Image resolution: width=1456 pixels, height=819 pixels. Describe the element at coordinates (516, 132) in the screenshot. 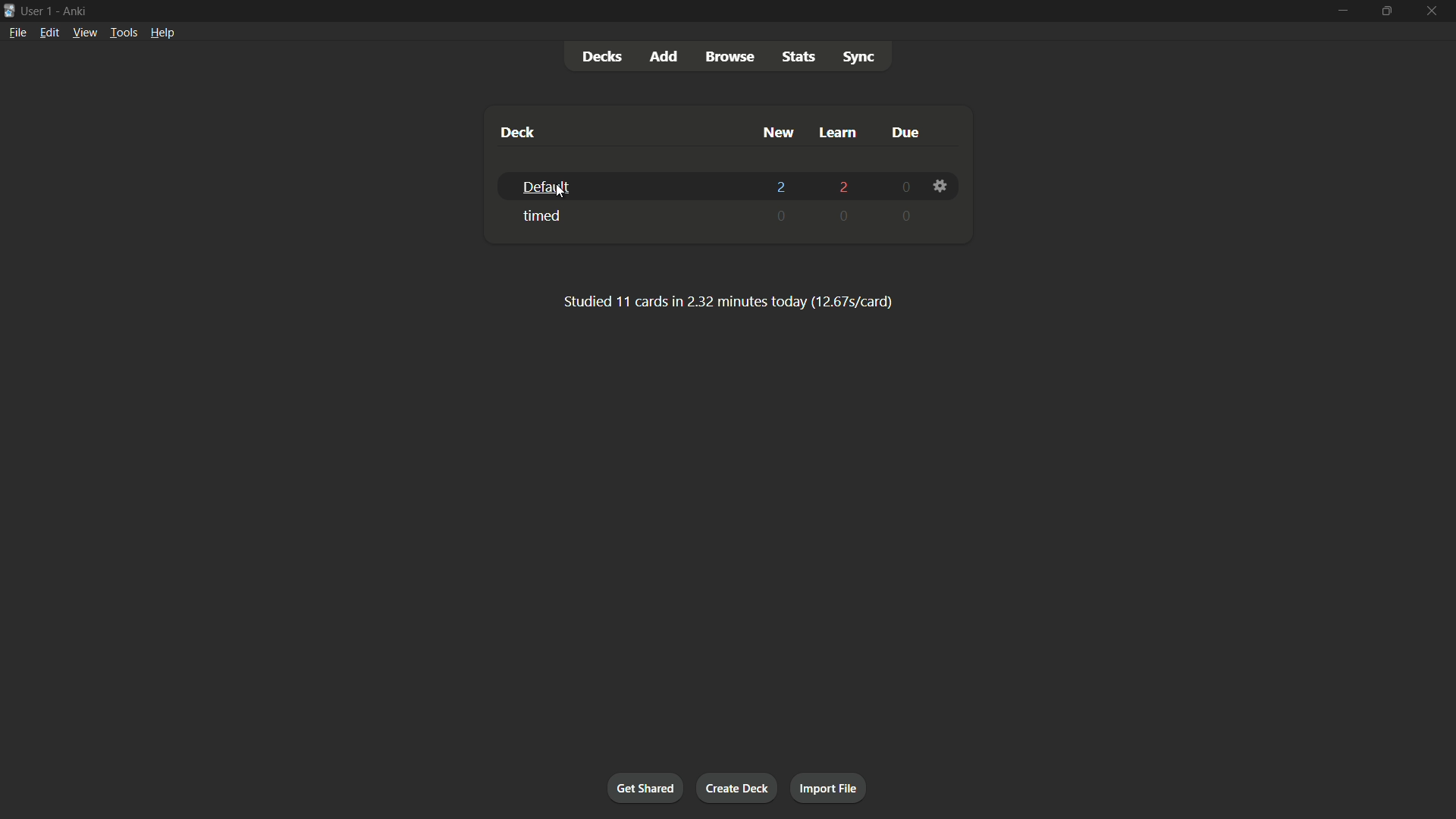

I see `deck` at that location.